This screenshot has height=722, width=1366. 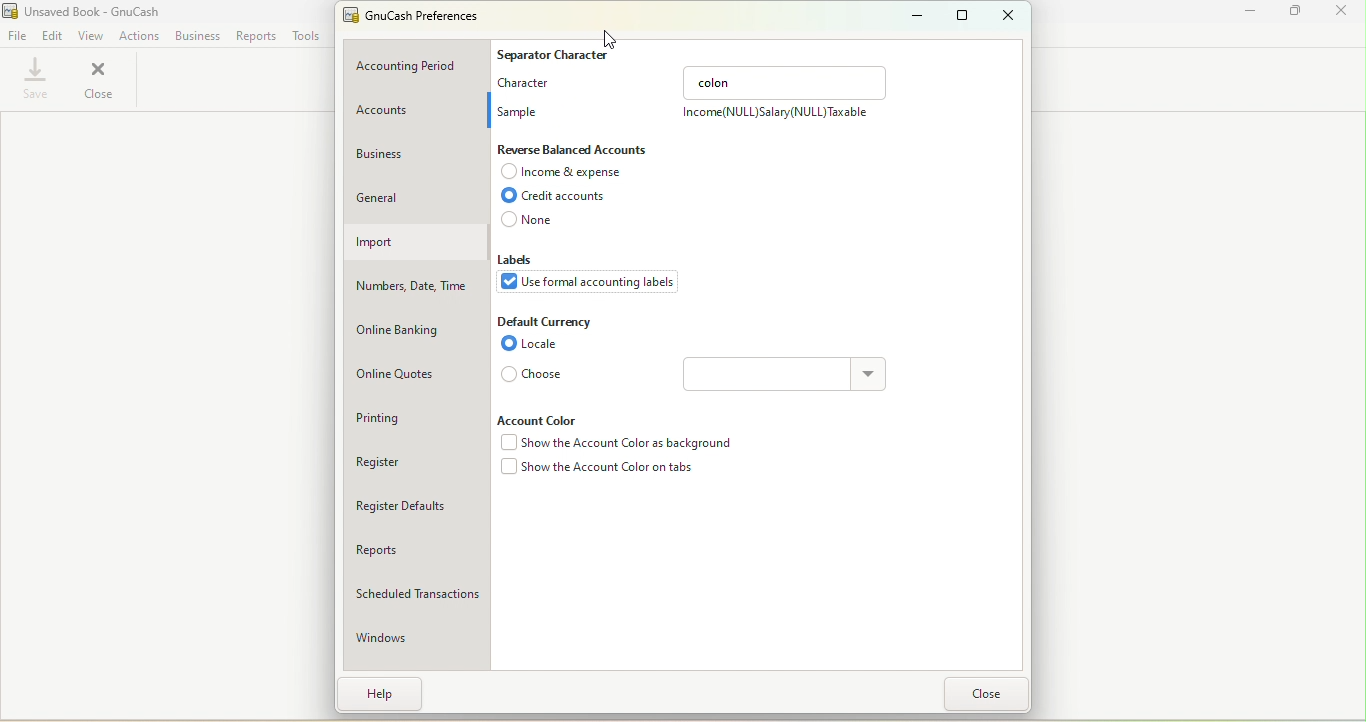 What do you see at coordinates (870, 376) in the screenshot?
I see `Drop down` at bounding box center [870, 376].